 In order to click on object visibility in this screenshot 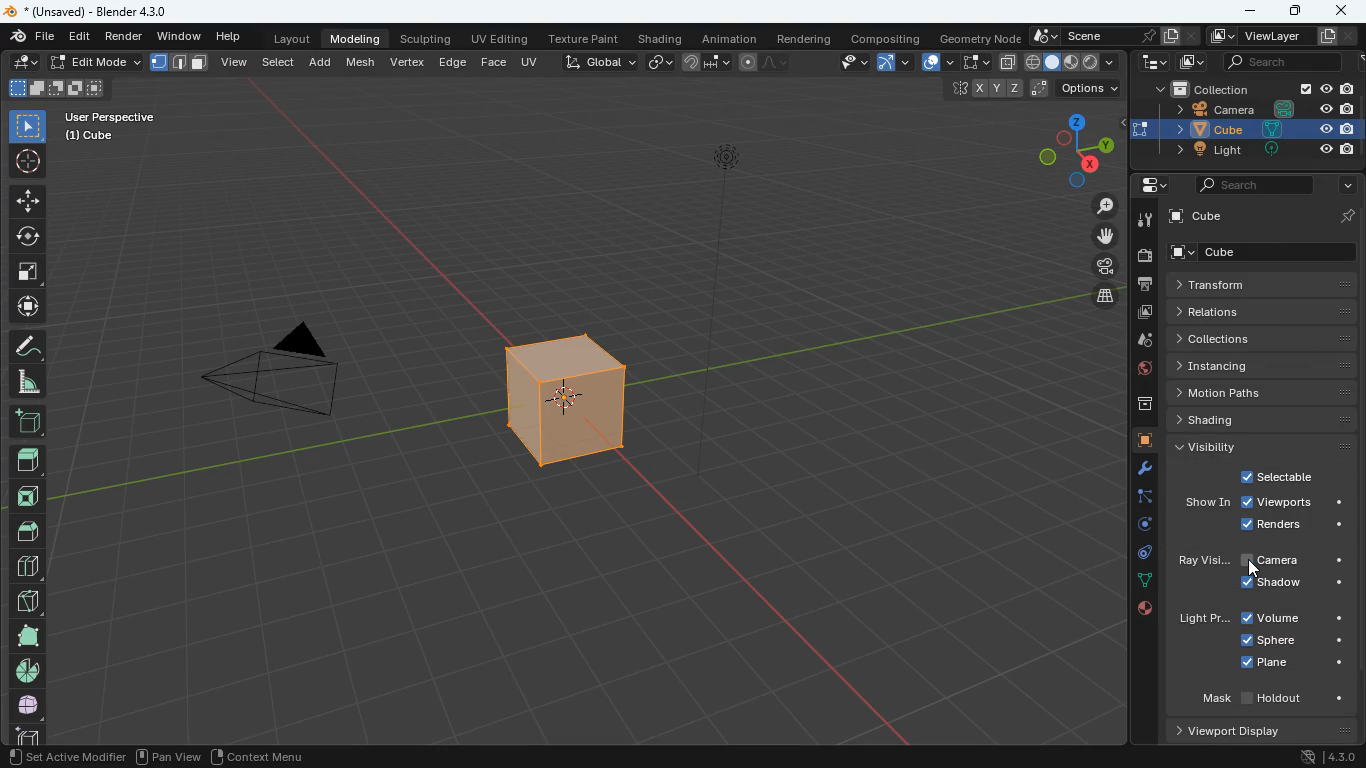, I will do `click(1253, 597)`.